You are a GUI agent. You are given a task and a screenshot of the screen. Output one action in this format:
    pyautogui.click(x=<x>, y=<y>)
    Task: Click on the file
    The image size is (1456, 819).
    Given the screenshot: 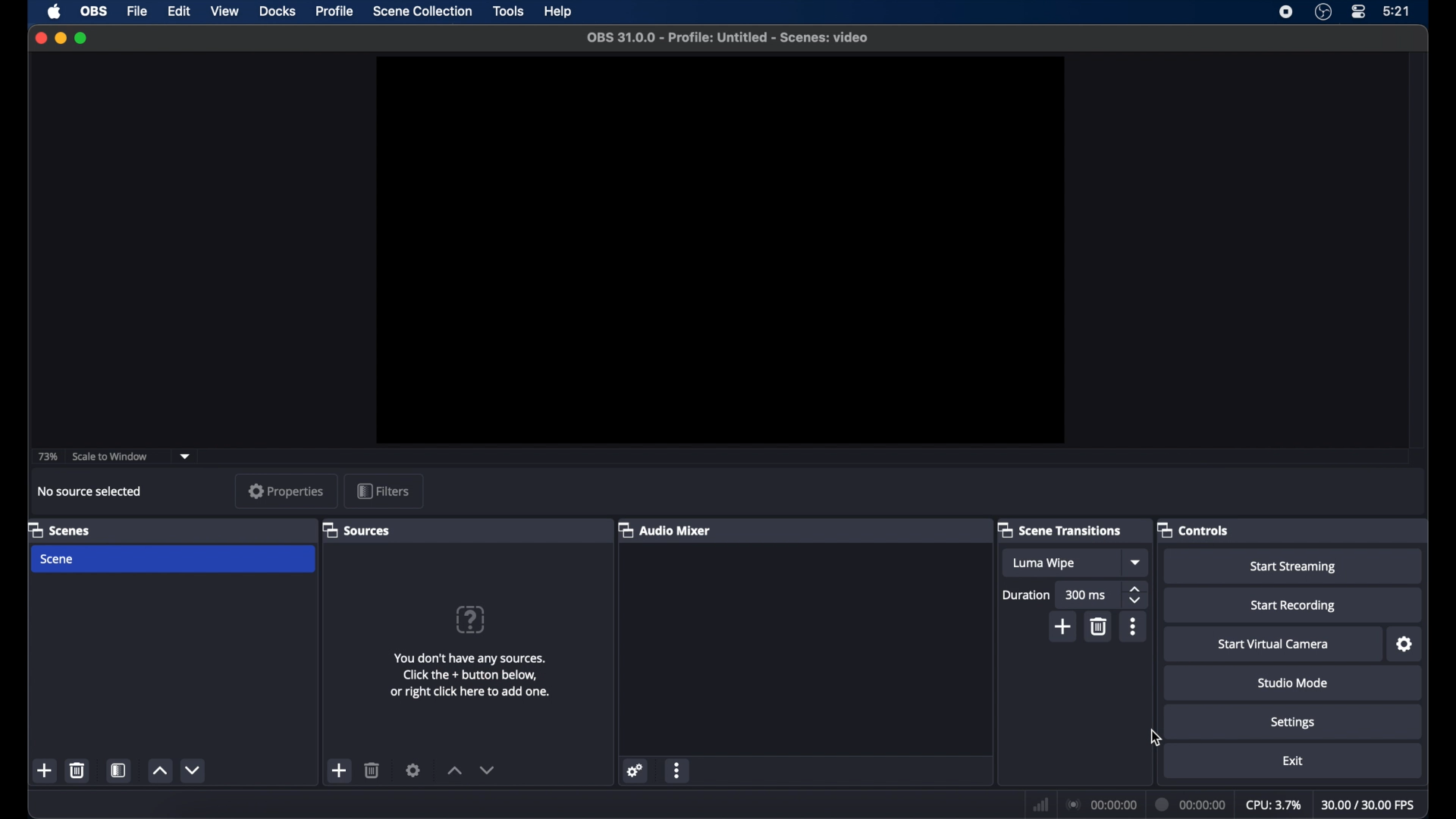 What is the action you would take?
    pyautogui.click(x=138, y=11)
    